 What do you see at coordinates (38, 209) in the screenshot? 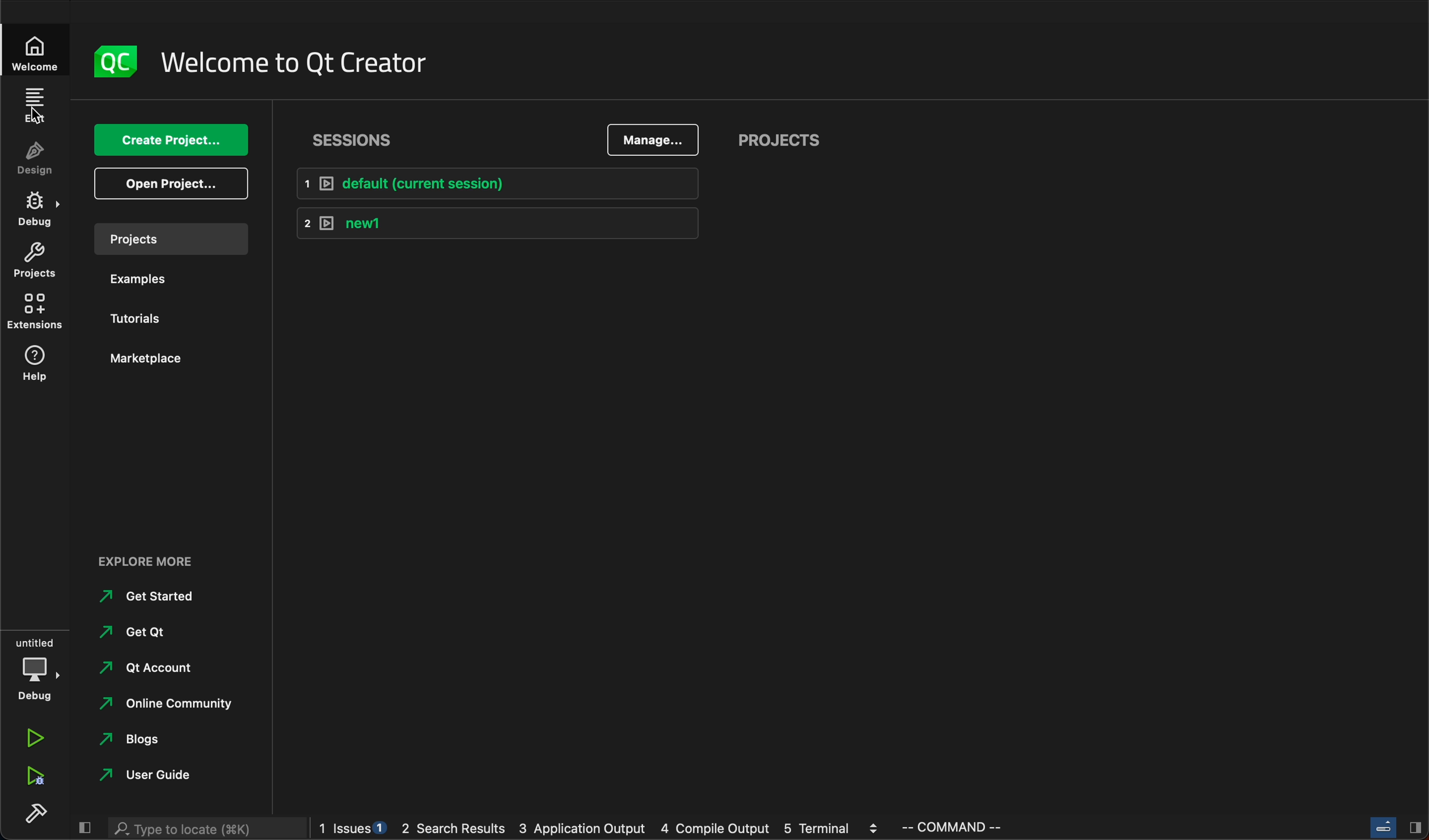
I see `debug` at bounding box center [38, 209].